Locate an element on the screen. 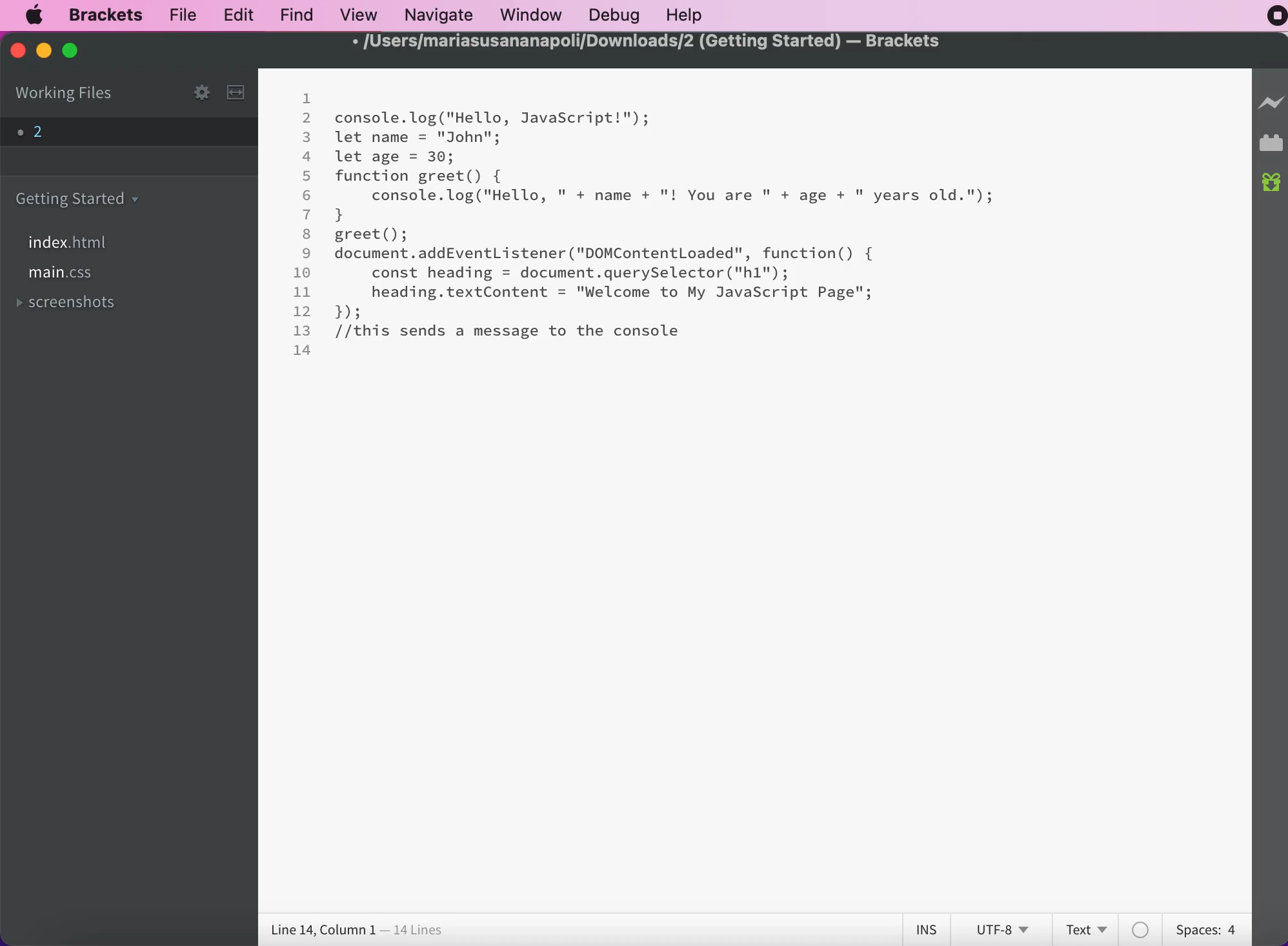 This screenshot has width=1288, height=946. minimize is located at coordinates (43, 51).